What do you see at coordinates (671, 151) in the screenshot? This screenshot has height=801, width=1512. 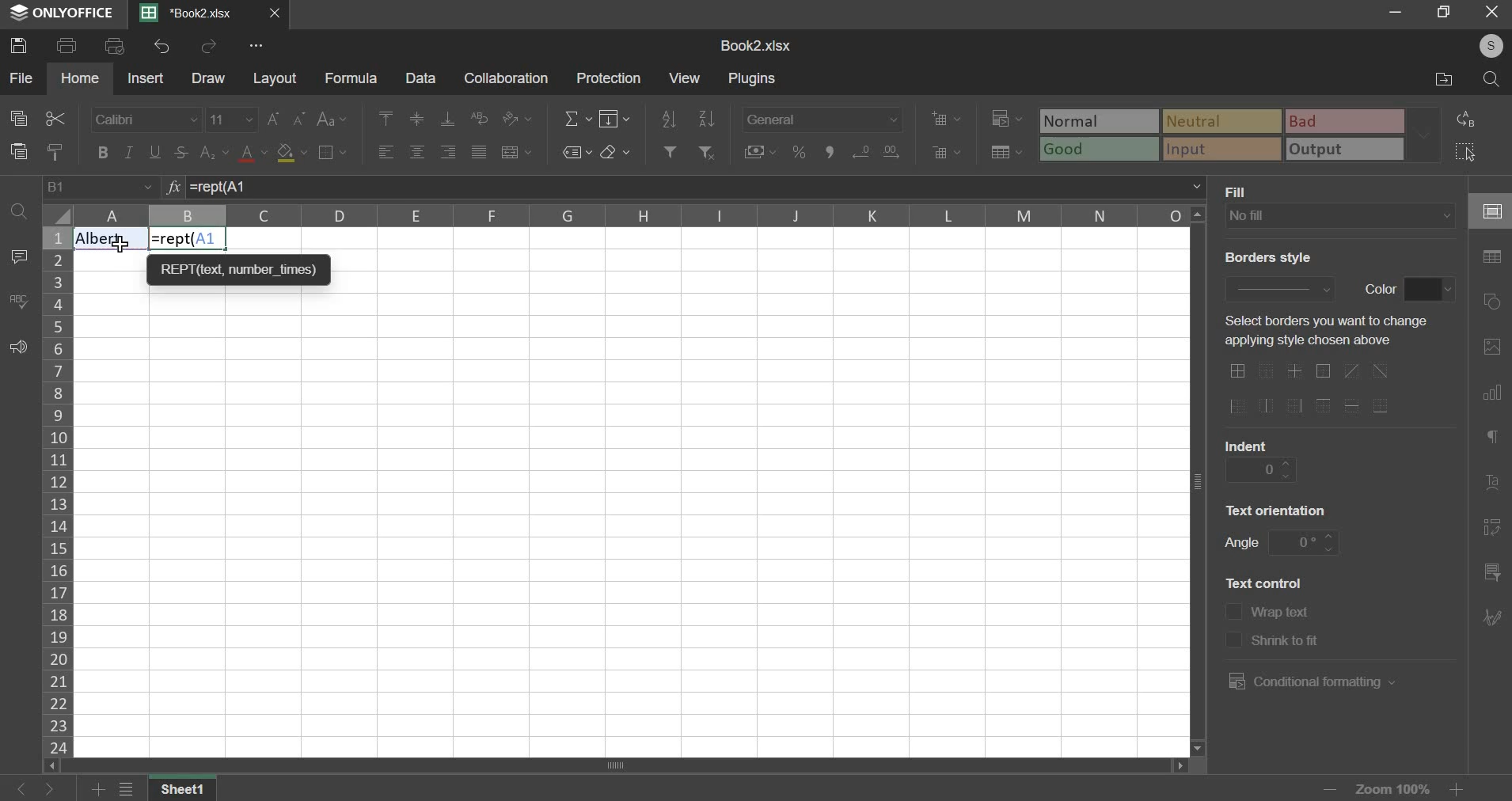 I see `add filter` at bounding box center [671, 151].